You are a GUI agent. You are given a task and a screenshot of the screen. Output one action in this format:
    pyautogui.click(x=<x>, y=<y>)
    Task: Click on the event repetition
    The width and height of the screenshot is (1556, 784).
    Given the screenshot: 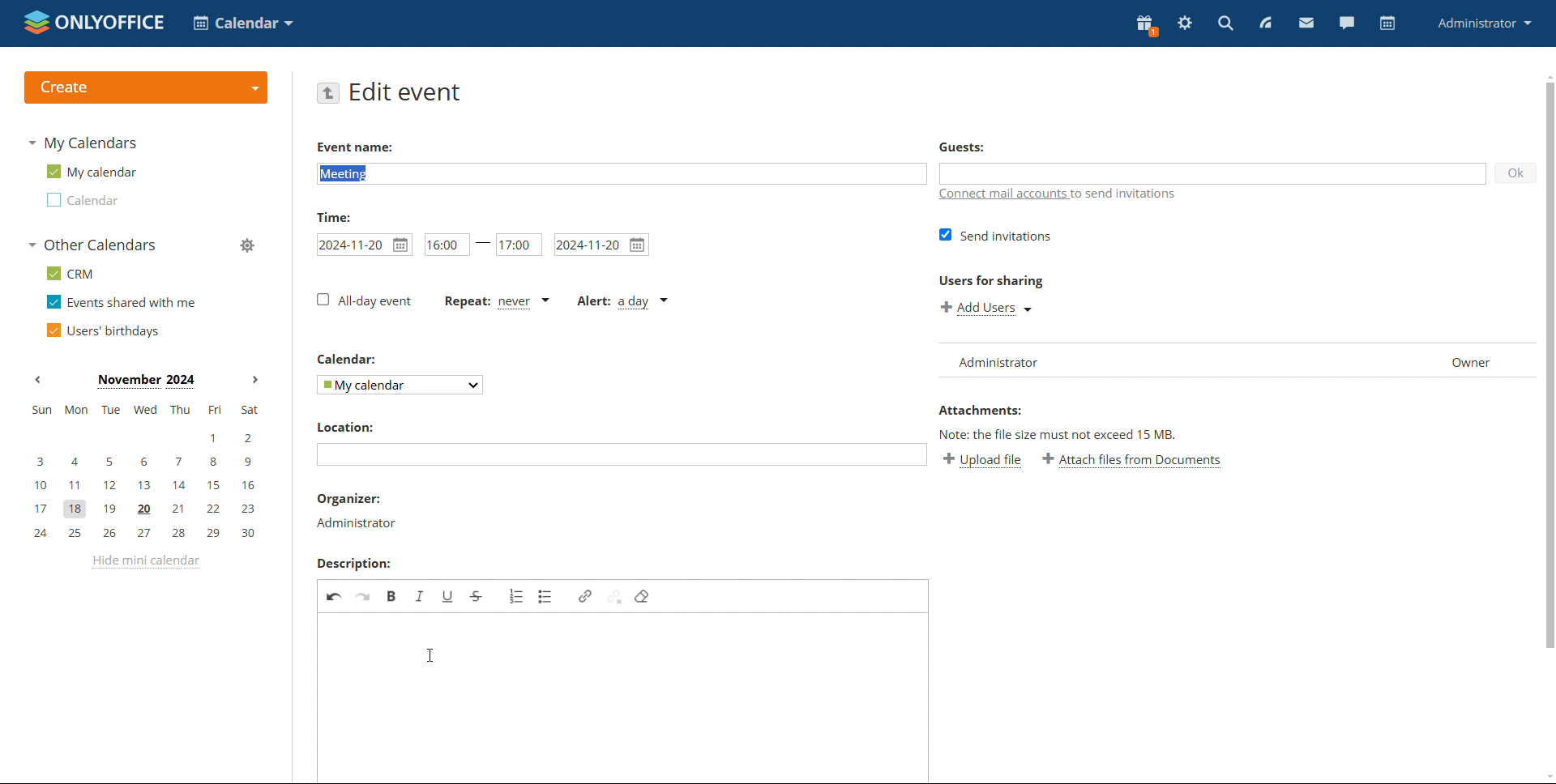 What is the action you would take?
    pyautogui.click(x=497, y=300)
    